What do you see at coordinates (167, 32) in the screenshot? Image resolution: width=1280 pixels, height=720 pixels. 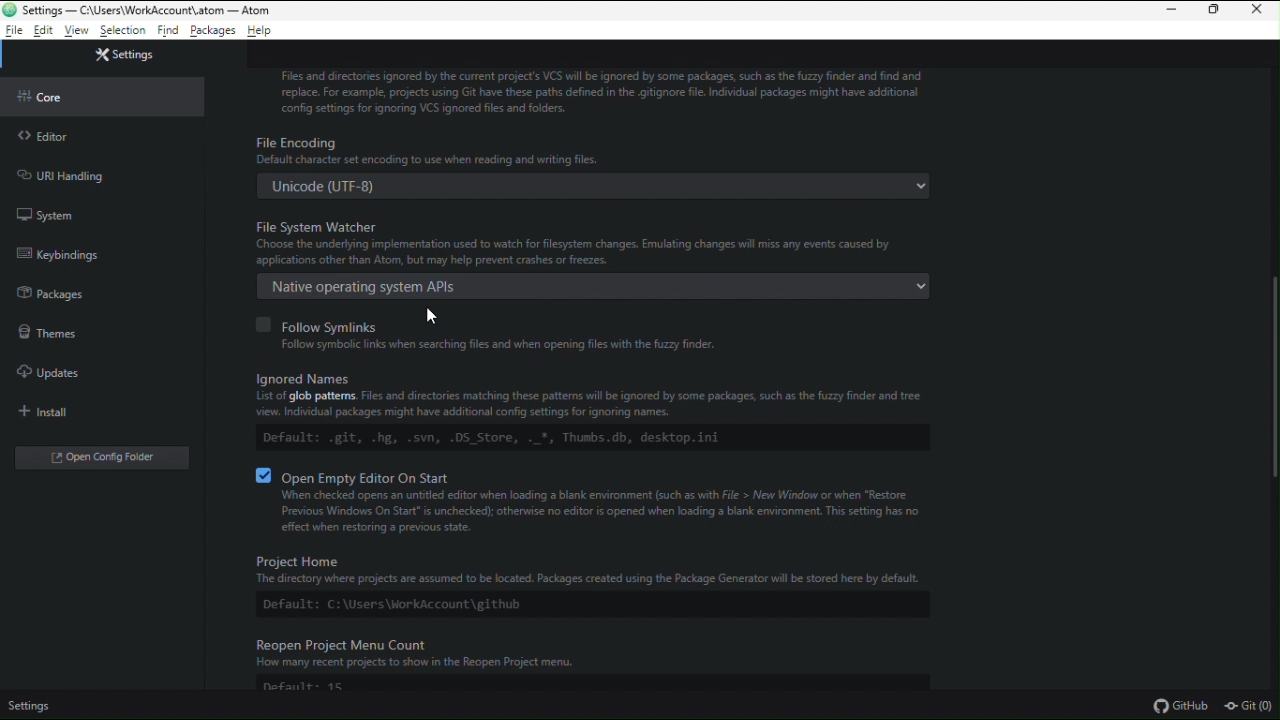 I see `find` at bounding box center [167, 32].